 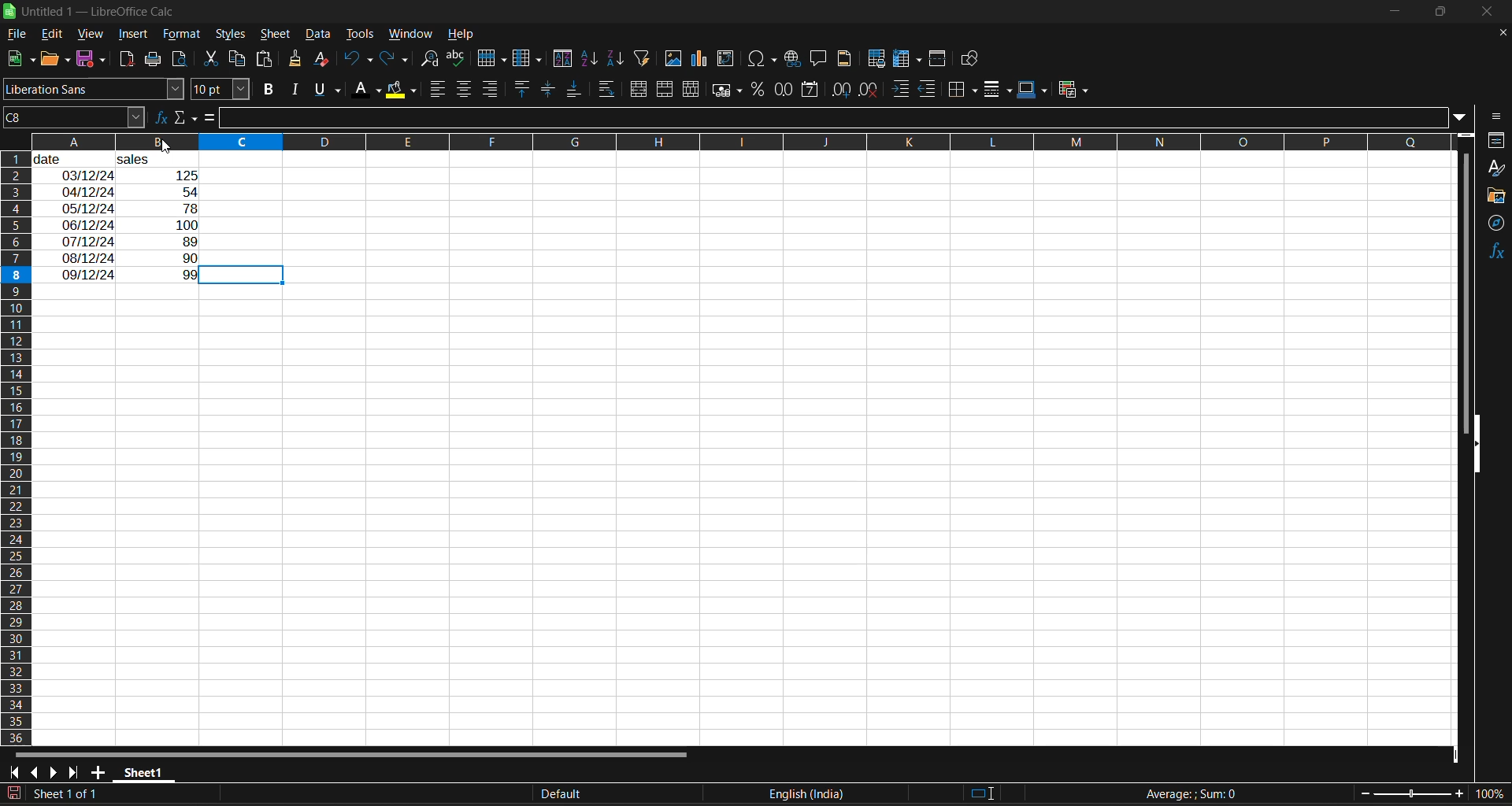 I want to click on wrap text, so click(x=609, y=89).